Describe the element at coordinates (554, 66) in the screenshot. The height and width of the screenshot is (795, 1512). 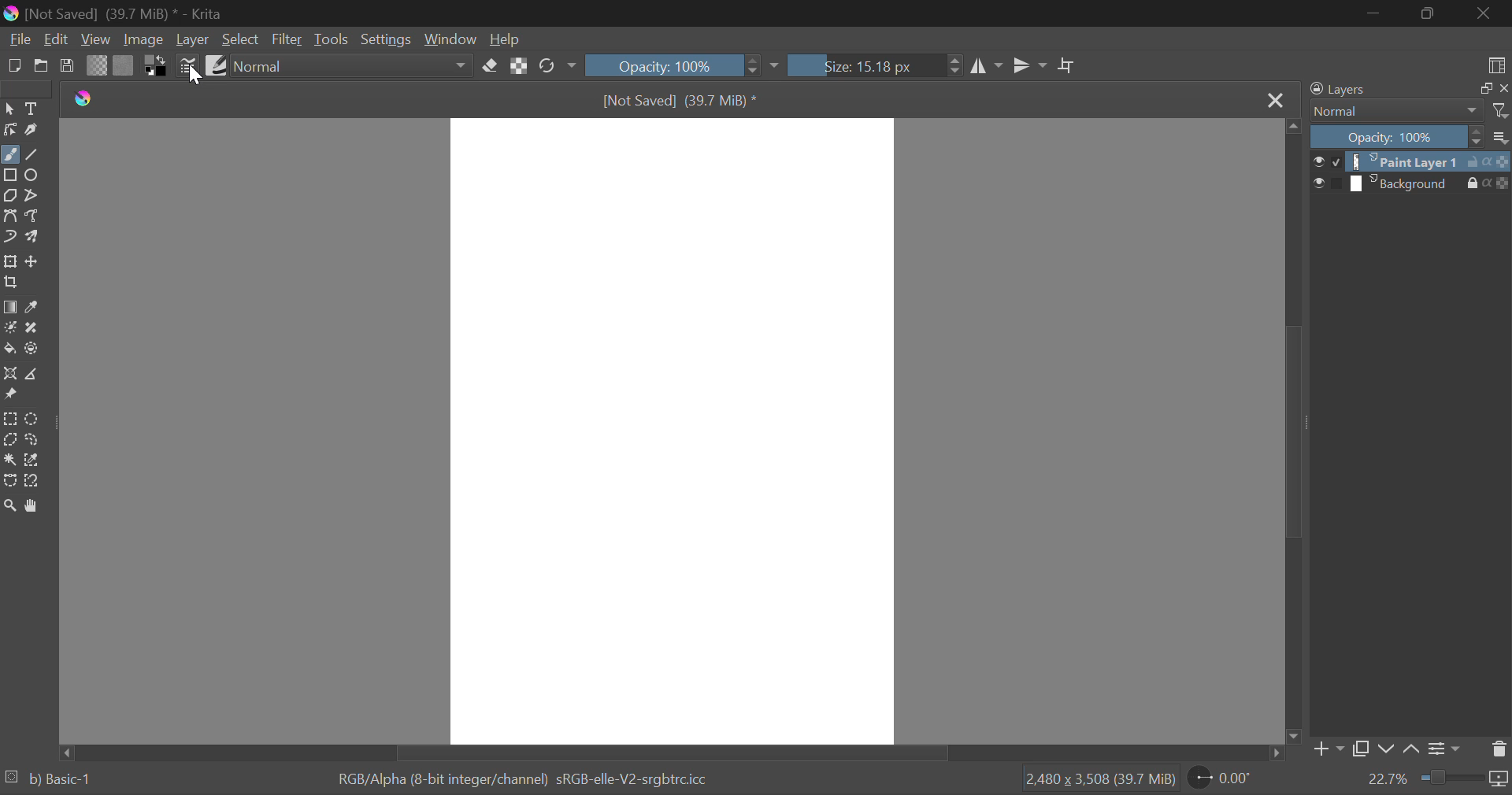
I see `Rotate` at that location.